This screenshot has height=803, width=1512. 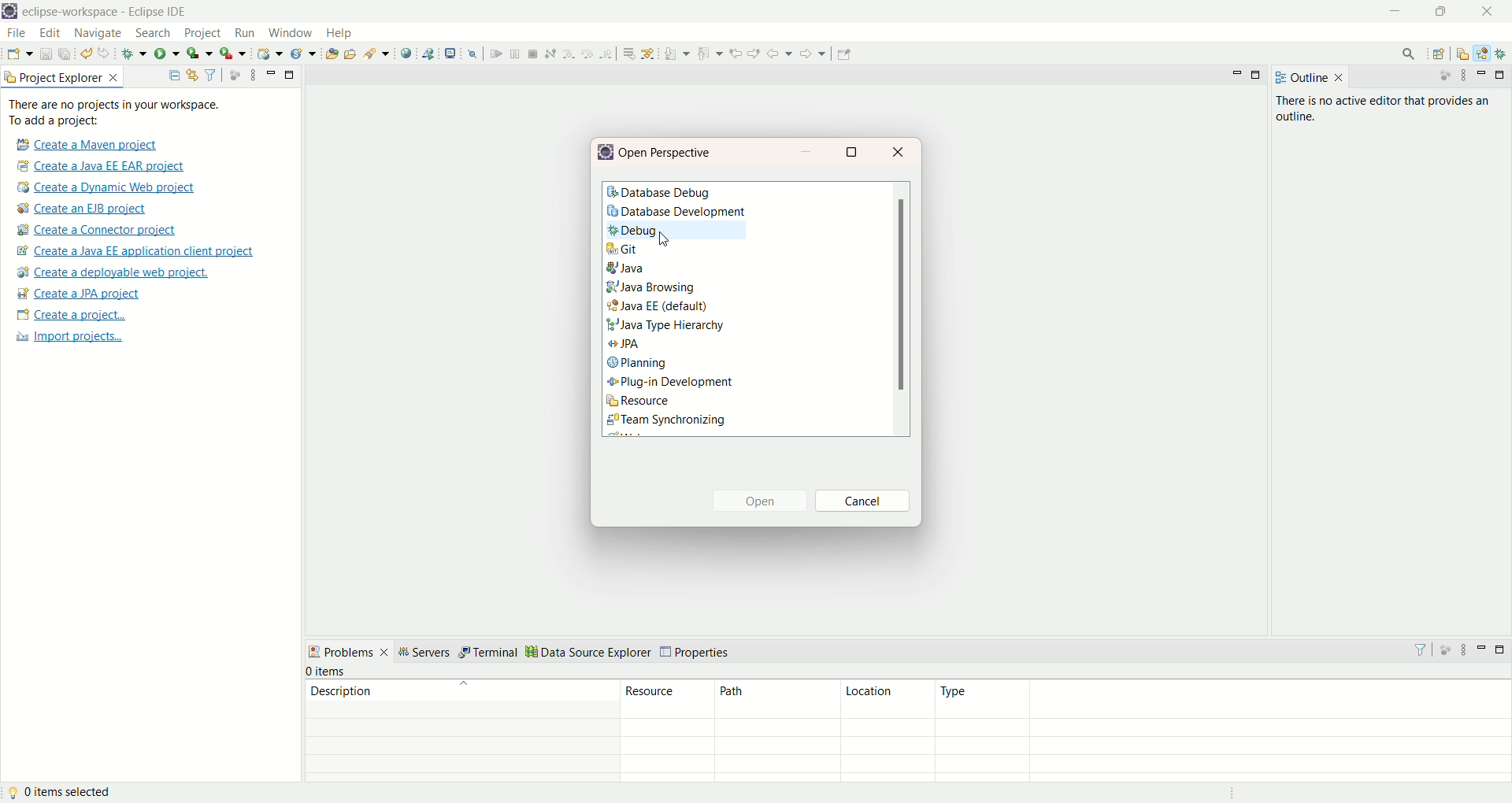 I want to click on create a deployable web project, so click(x=113, y=272).